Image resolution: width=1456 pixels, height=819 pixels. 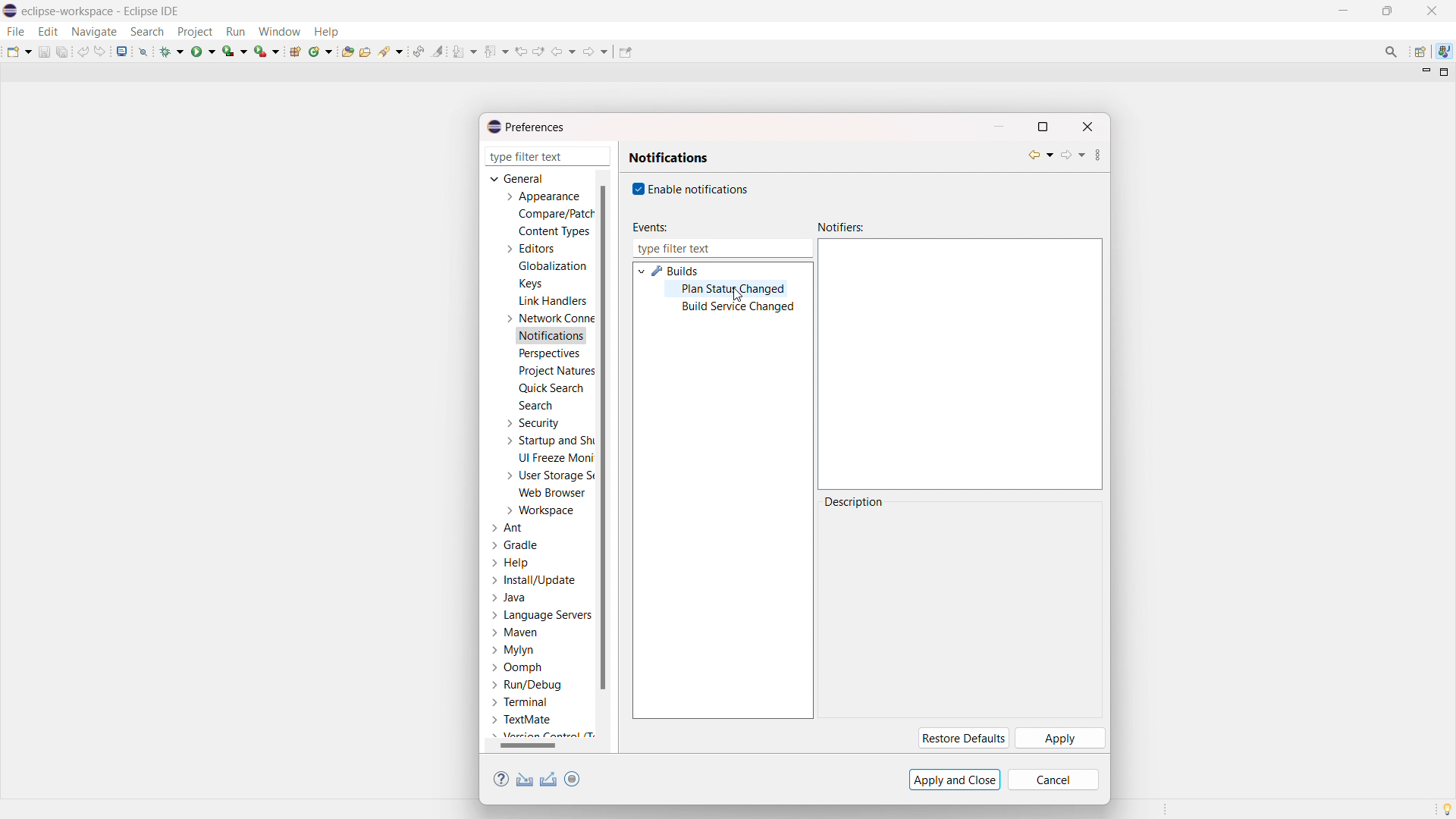 What do you see at coordinates (268, 51) in the screenshot?
I see `run last tool` at bounding box center [268, 51].